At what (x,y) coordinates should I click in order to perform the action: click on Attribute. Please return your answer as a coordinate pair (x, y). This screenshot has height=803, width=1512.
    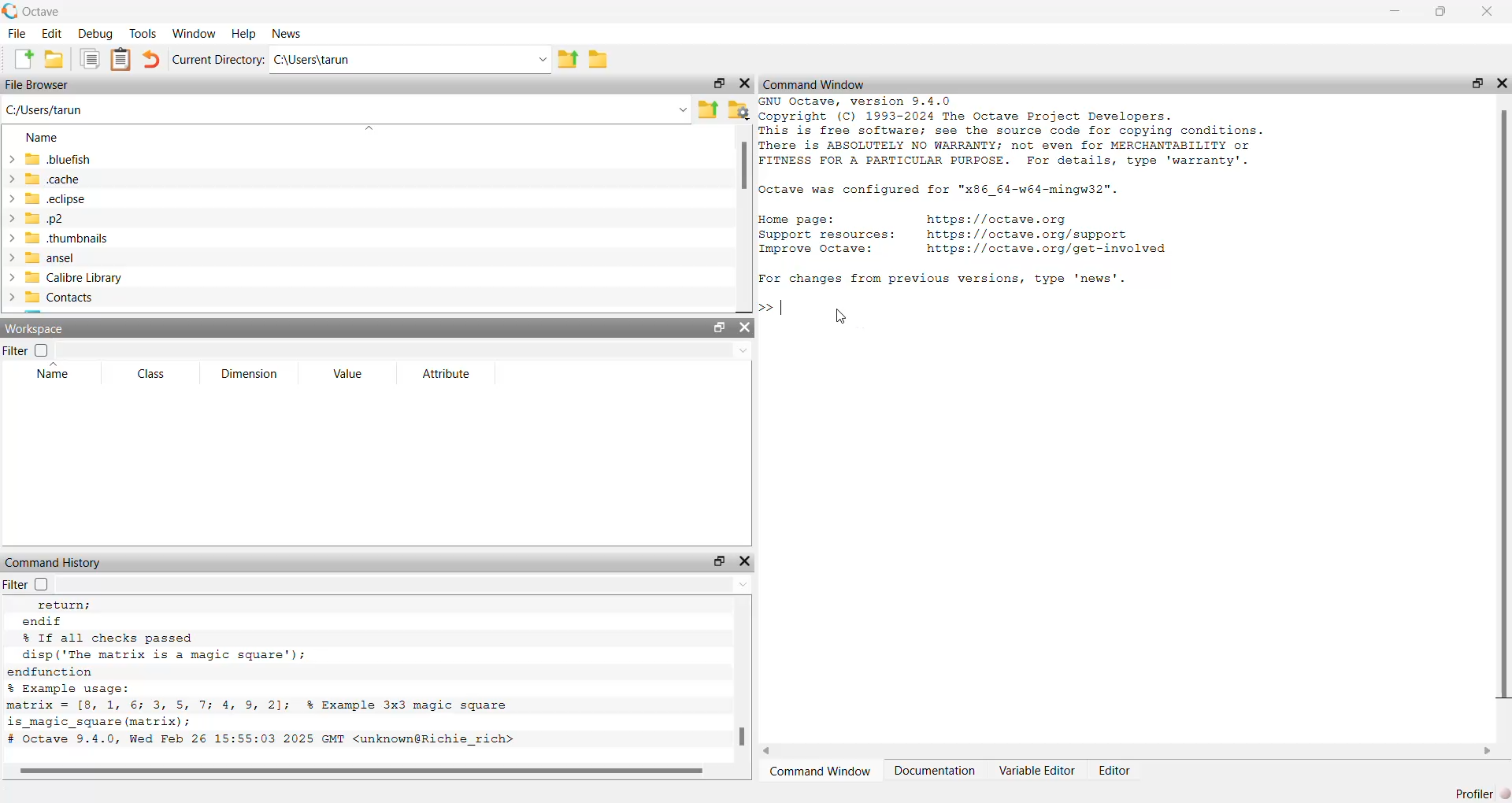
    Looking at the image, I should click on (445, 373).